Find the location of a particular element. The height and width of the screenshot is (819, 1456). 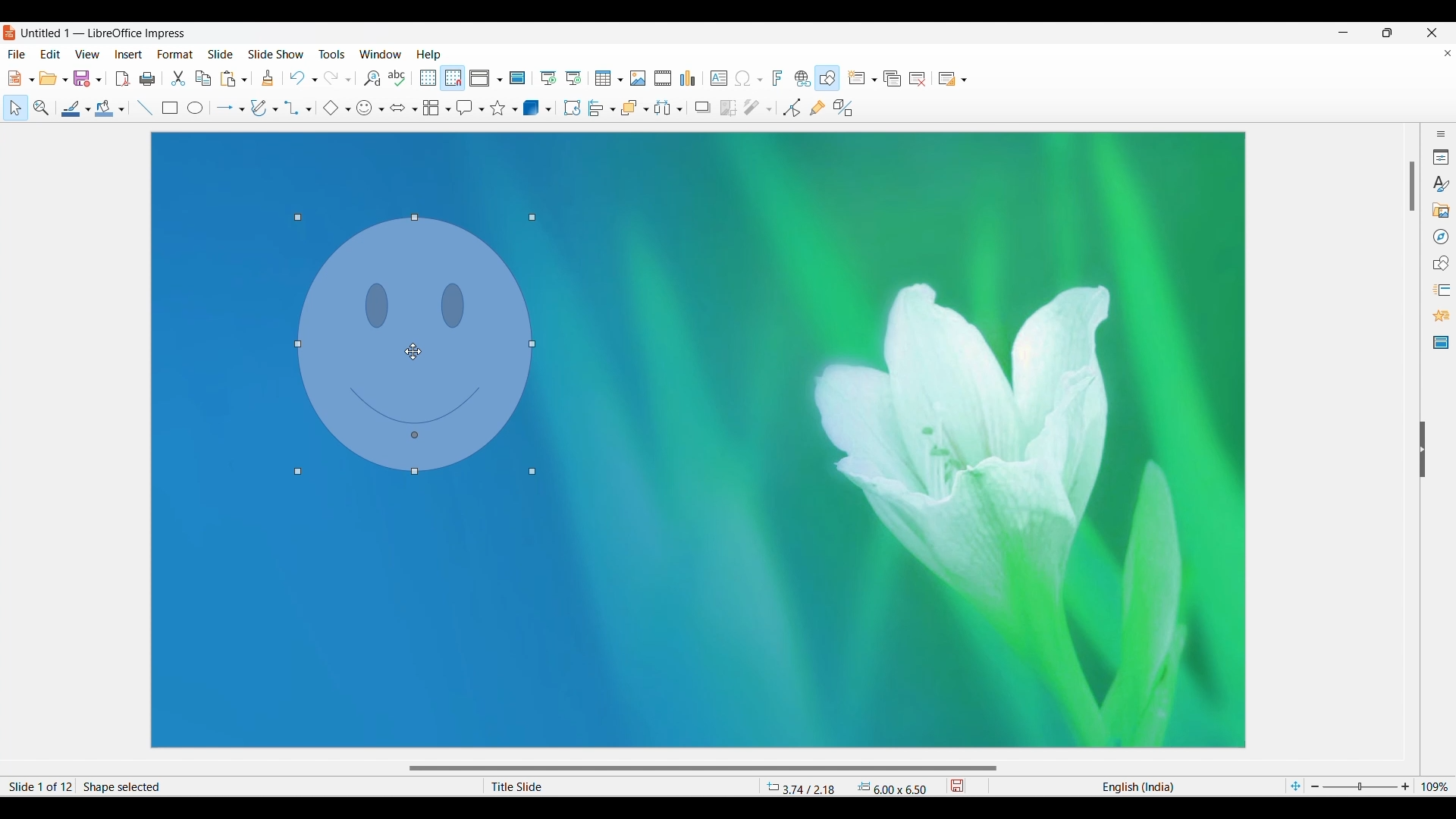

Insert tabel is located at coordinates (609, 78).